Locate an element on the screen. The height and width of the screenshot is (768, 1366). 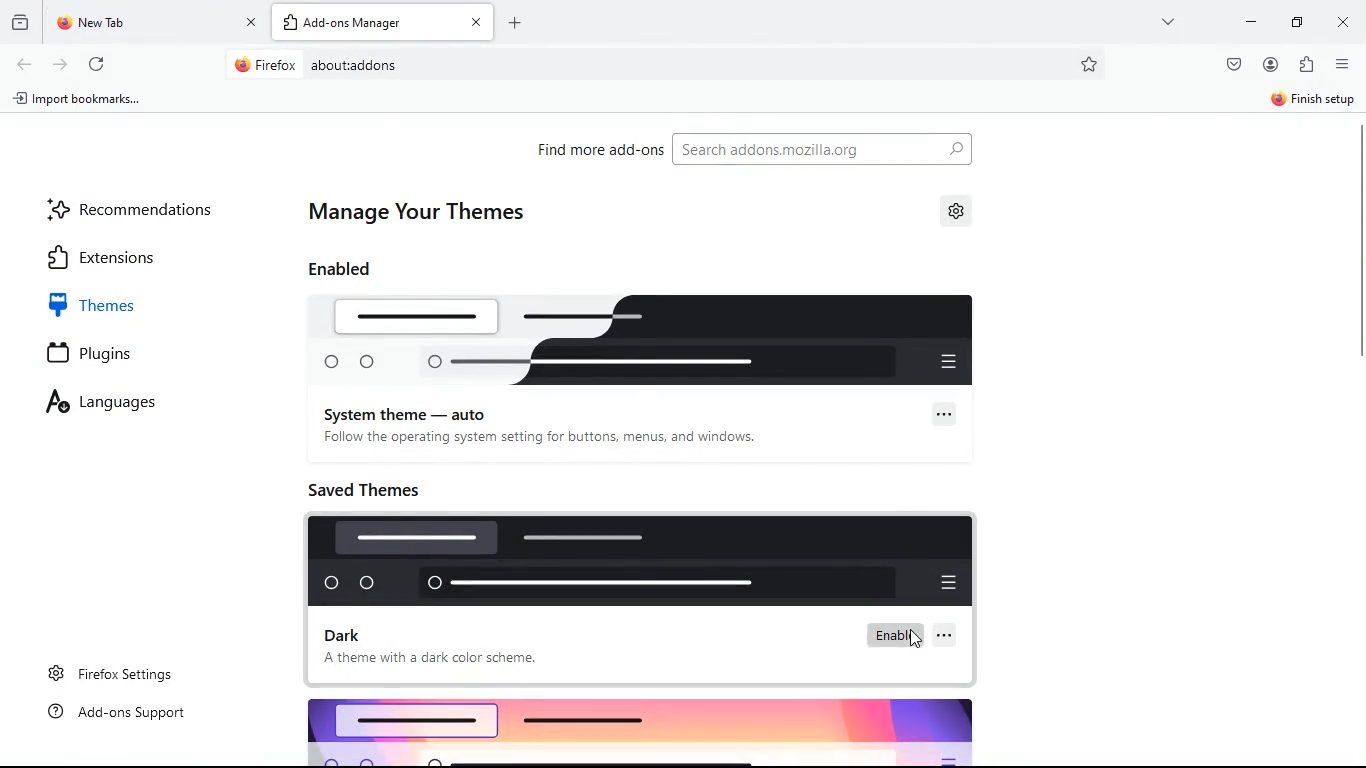
add-on tab is located at coordinates (369, 23).